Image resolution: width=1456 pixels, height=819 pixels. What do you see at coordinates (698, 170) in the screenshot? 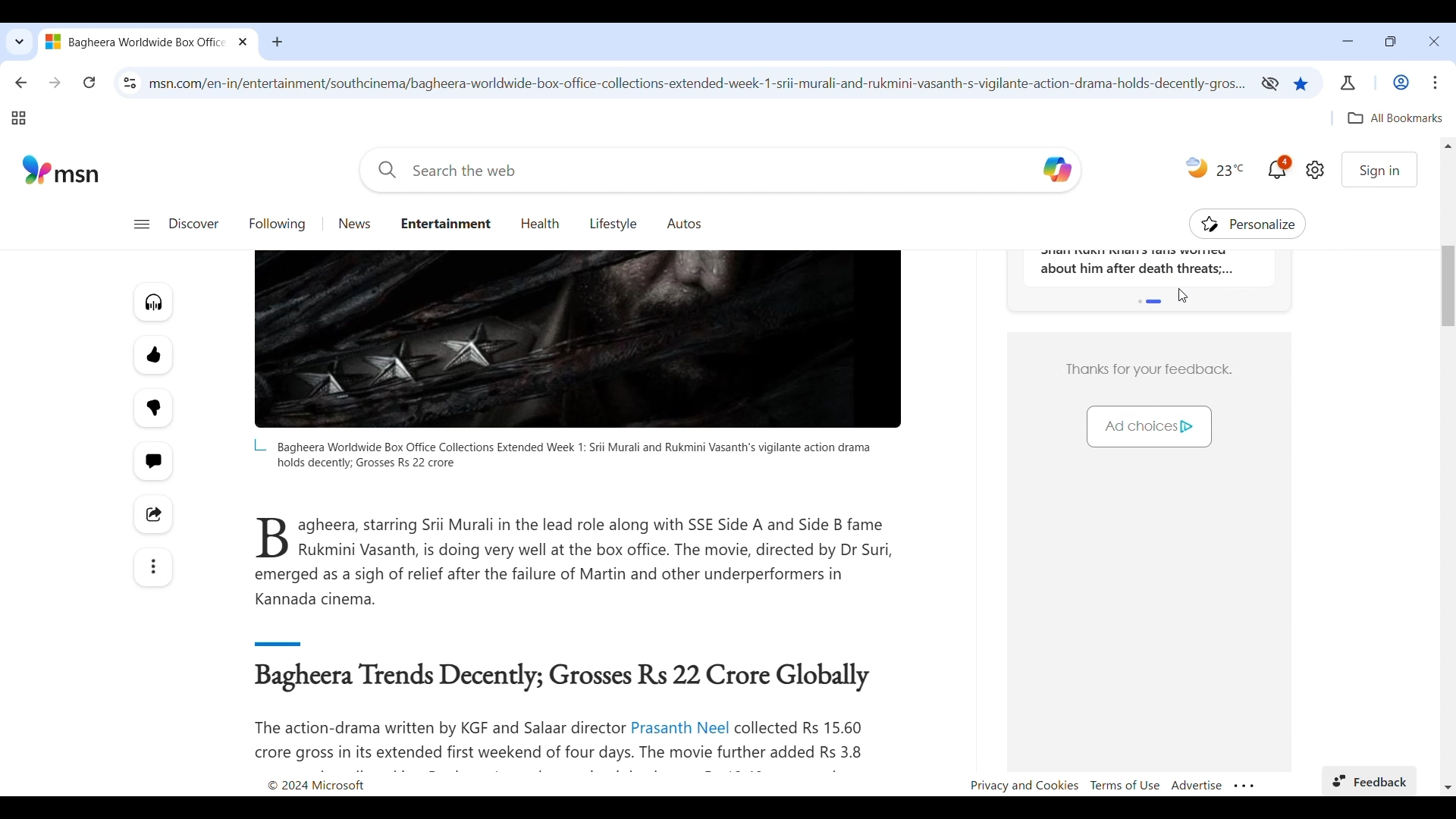
I see `Enter search term` at bounding box center [698, 170].